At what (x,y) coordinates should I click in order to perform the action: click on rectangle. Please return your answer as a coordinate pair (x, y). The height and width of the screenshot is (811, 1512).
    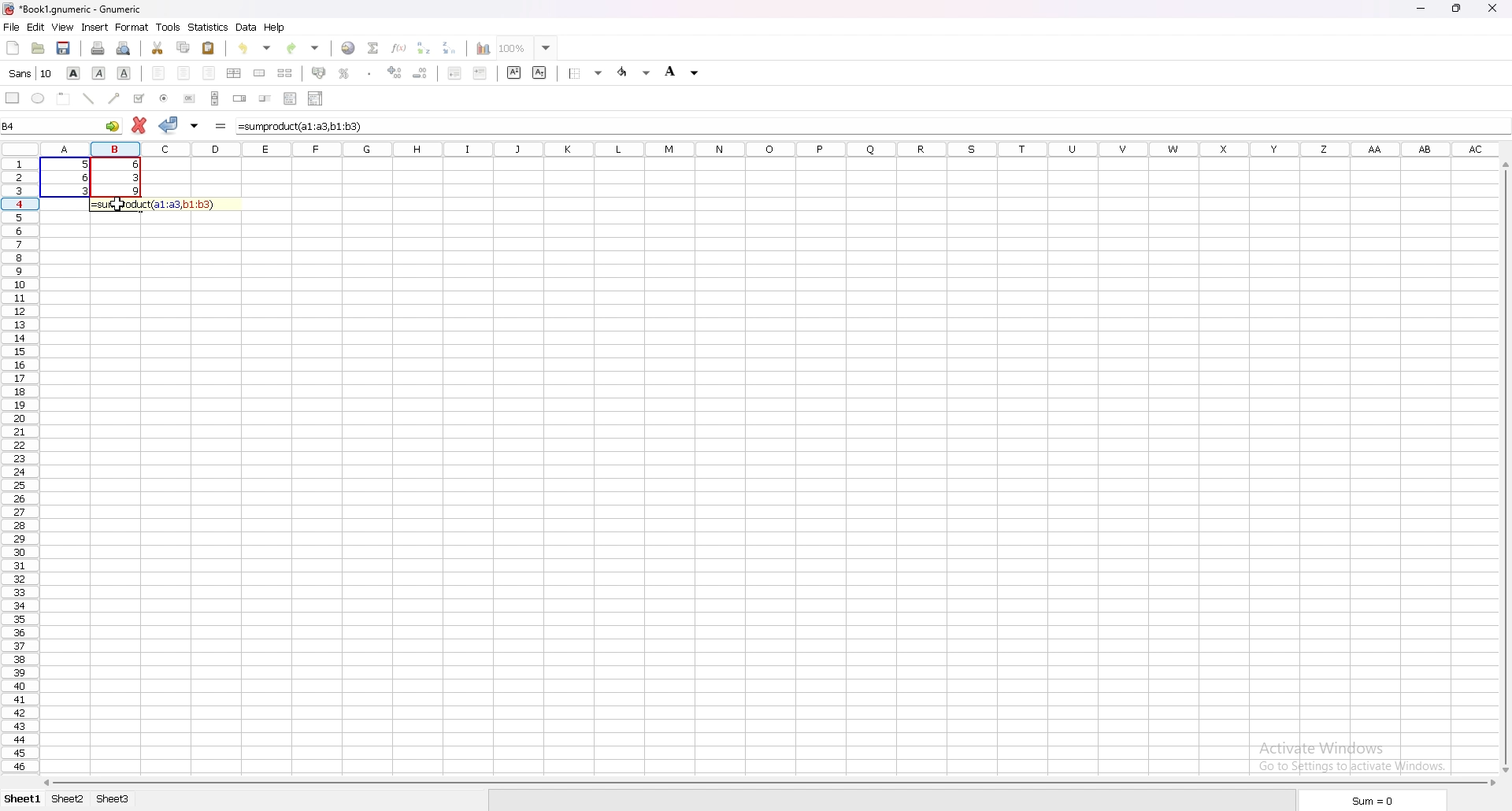
    Looking at the image, I should click on (12, 98).